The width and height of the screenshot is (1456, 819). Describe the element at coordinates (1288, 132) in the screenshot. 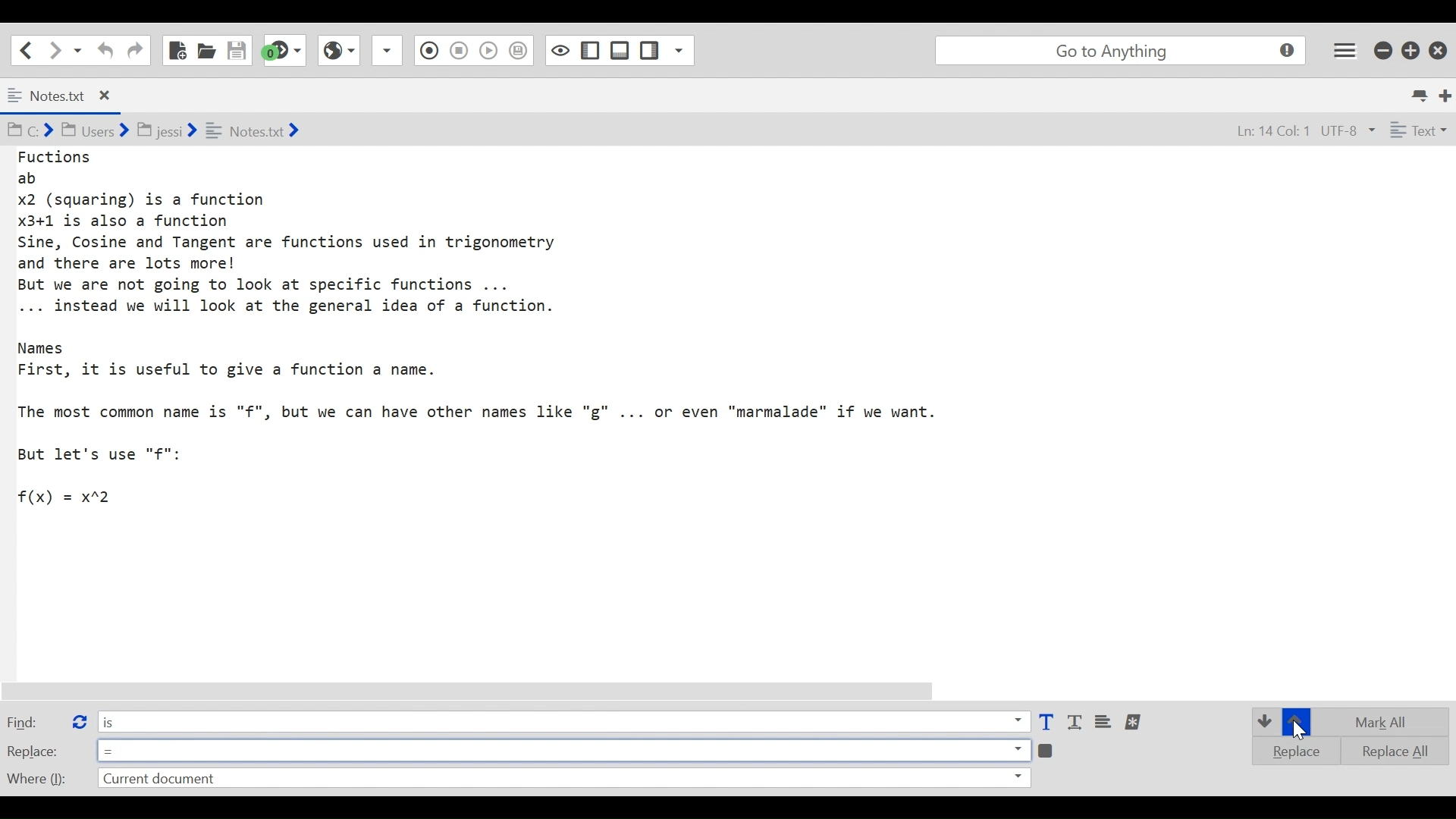

I see `Ln: 17 Col: 11 UTF-8` at that location.